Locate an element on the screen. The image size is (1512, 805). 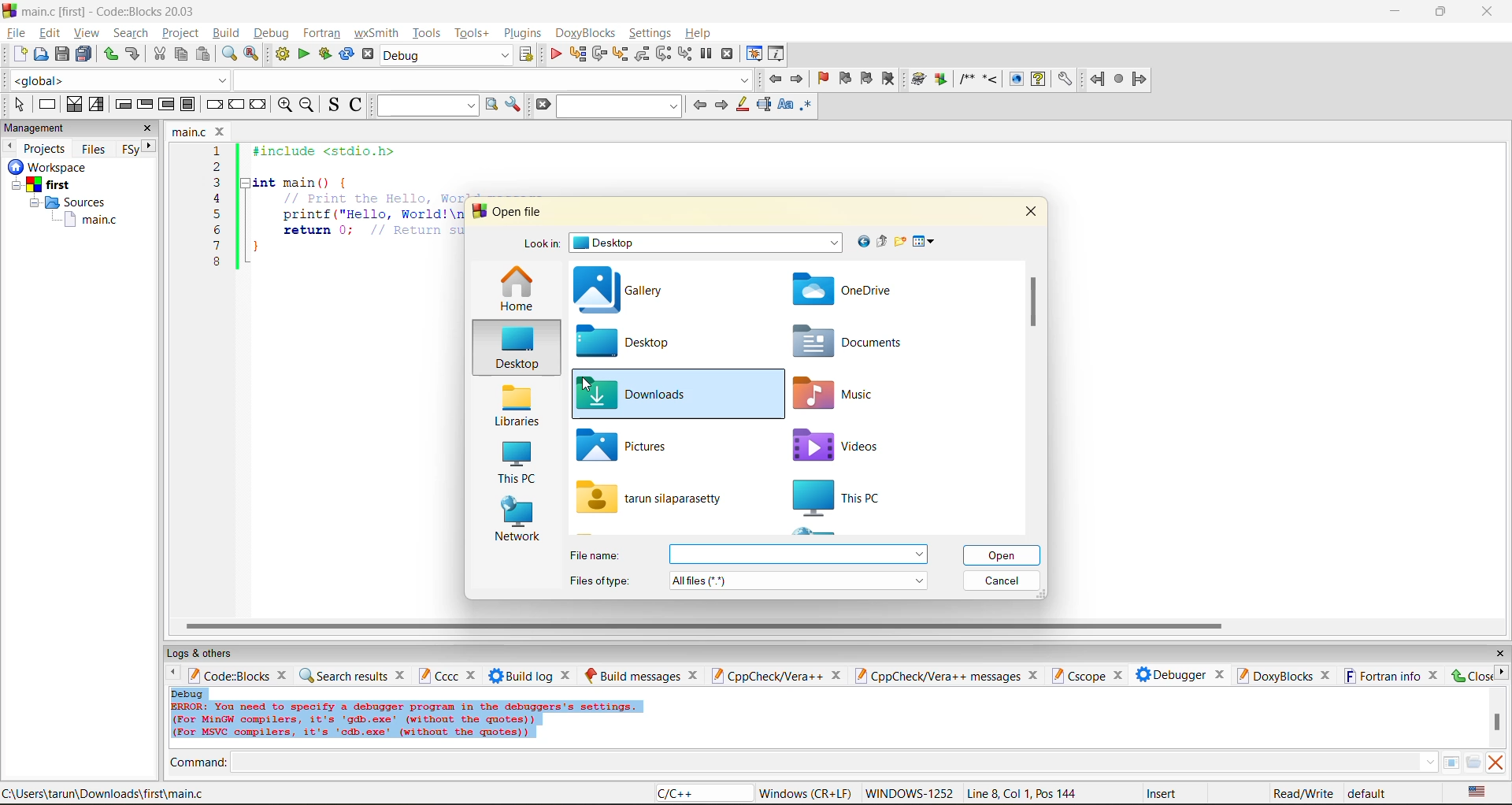
settings is located at coordinates (1064, 80).